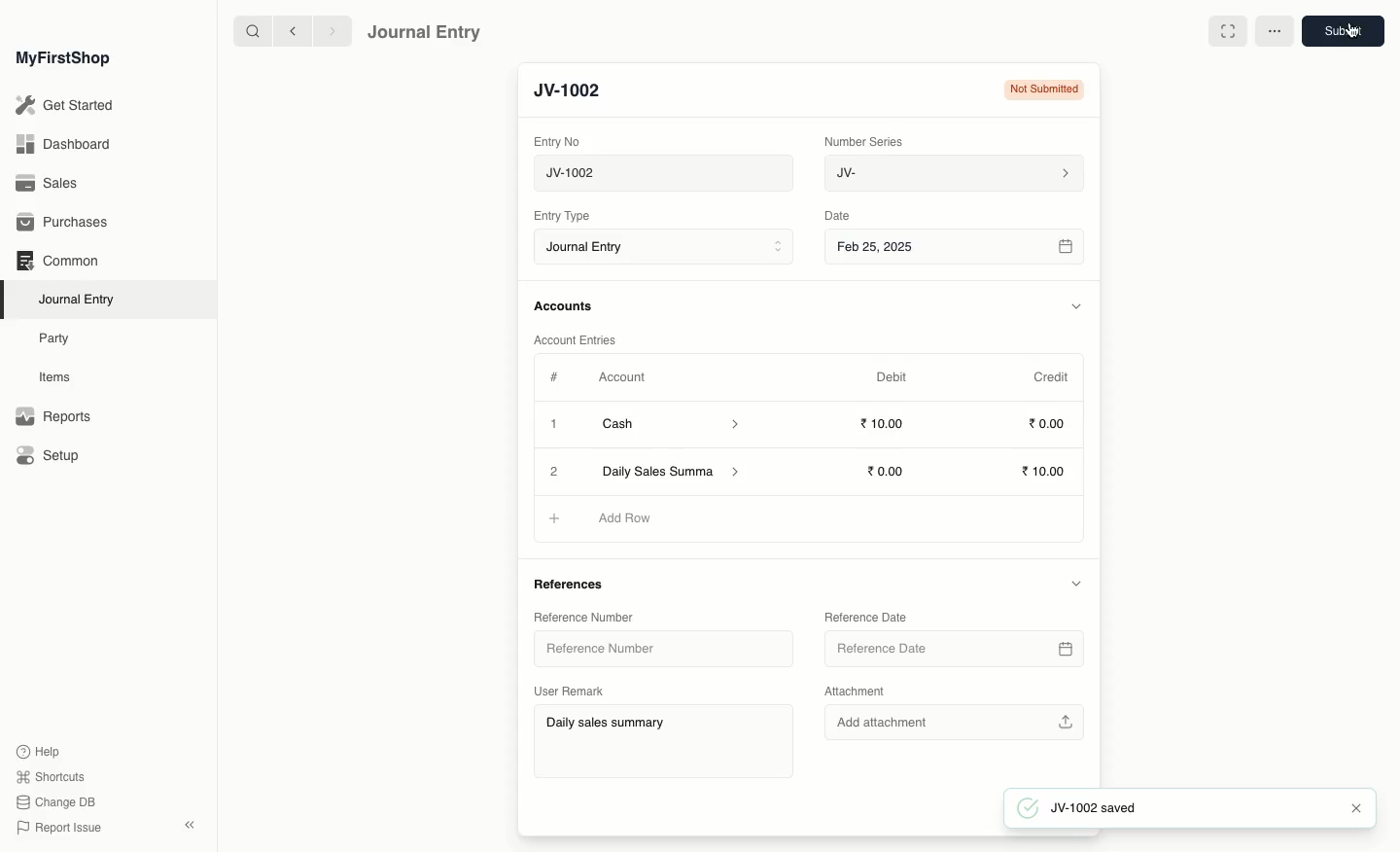 Image resolution: width=1400 pixels, height=852 pixels. What do you see at coordinates (565, 306) in the screenshot?
I see `Accounts` at bounding box center [565, 306].